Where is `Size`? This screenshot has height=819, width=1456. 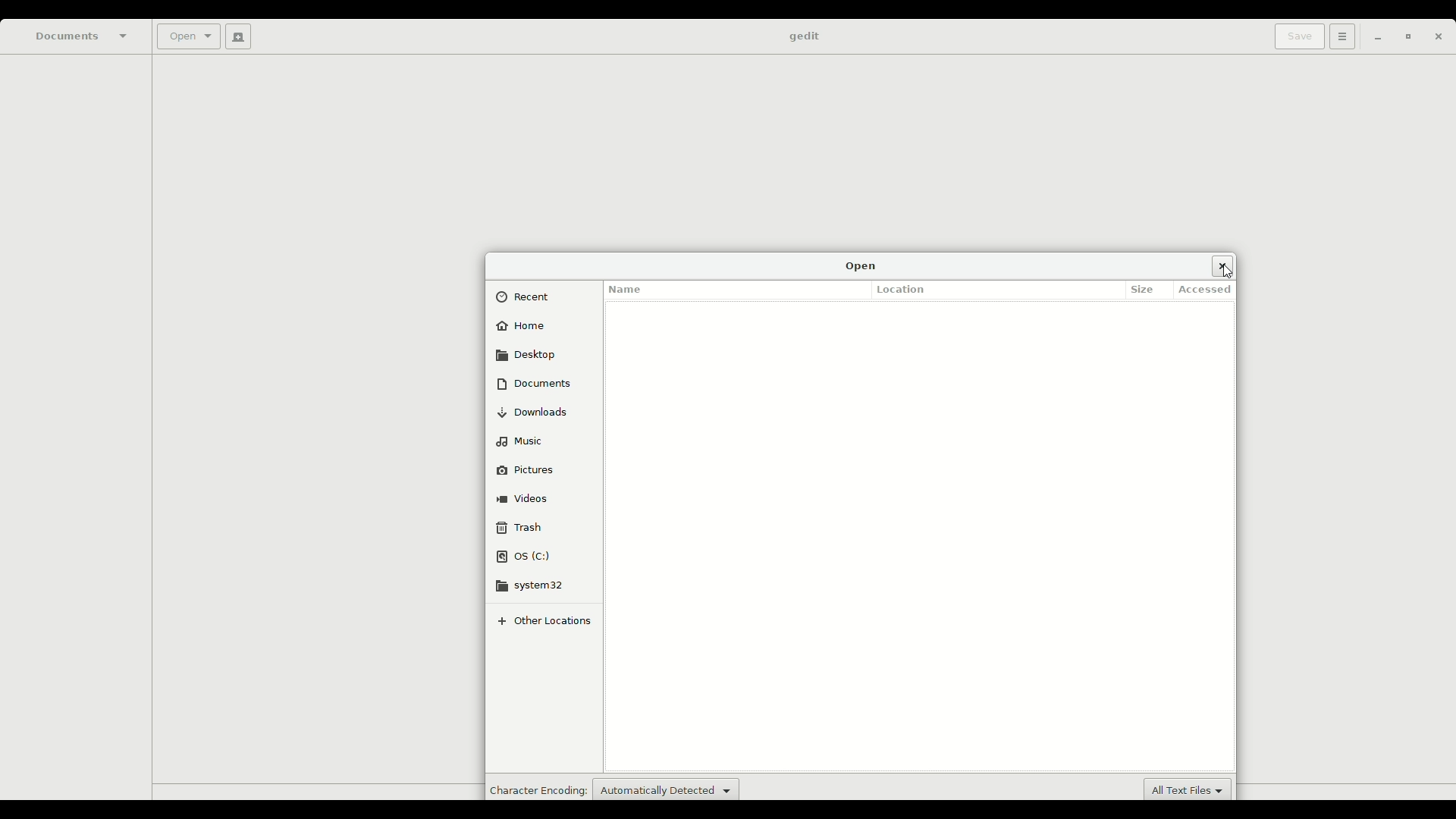 Size is located at coordinates (1146, 288).